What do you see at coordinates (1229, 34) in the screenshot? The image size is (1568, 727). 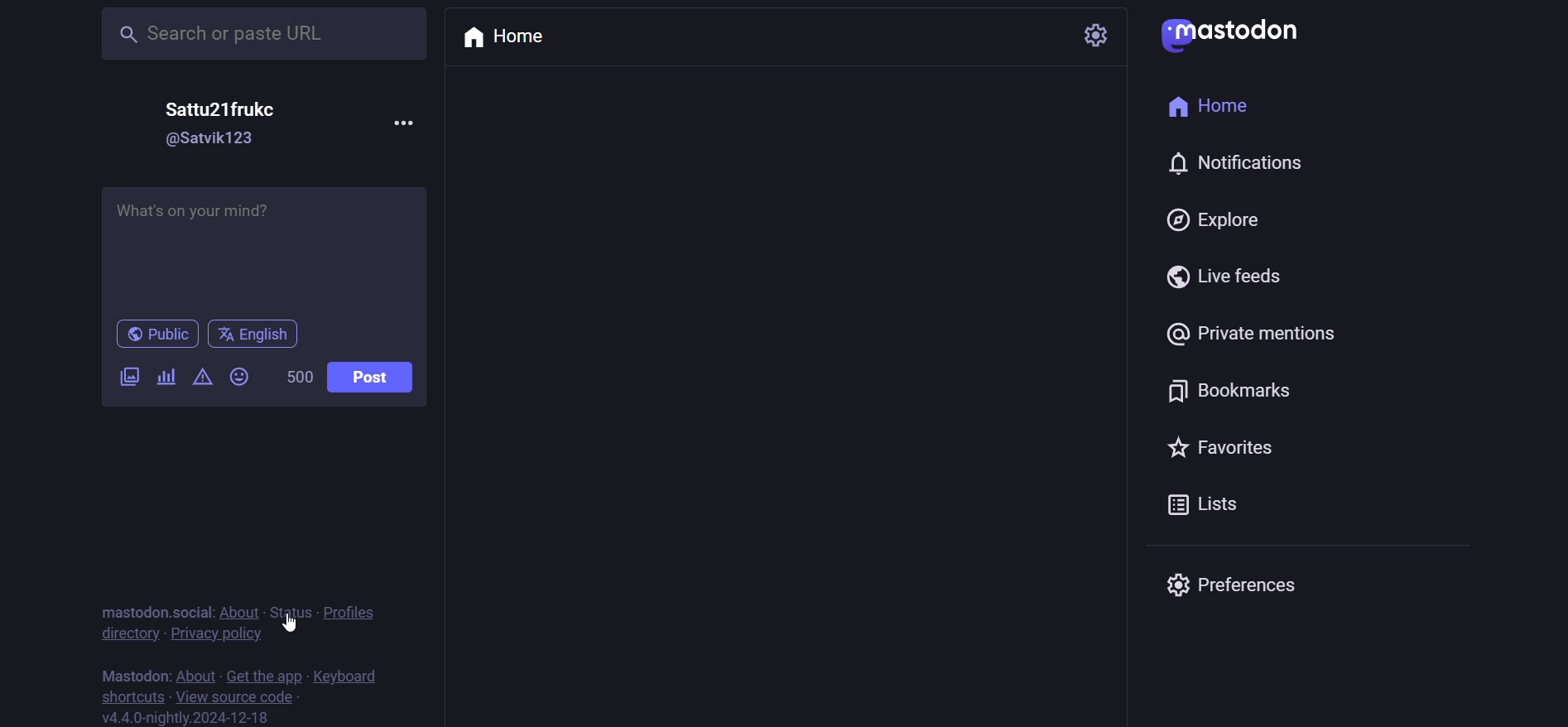 I see `logo` at bounding box center [1229, 34].